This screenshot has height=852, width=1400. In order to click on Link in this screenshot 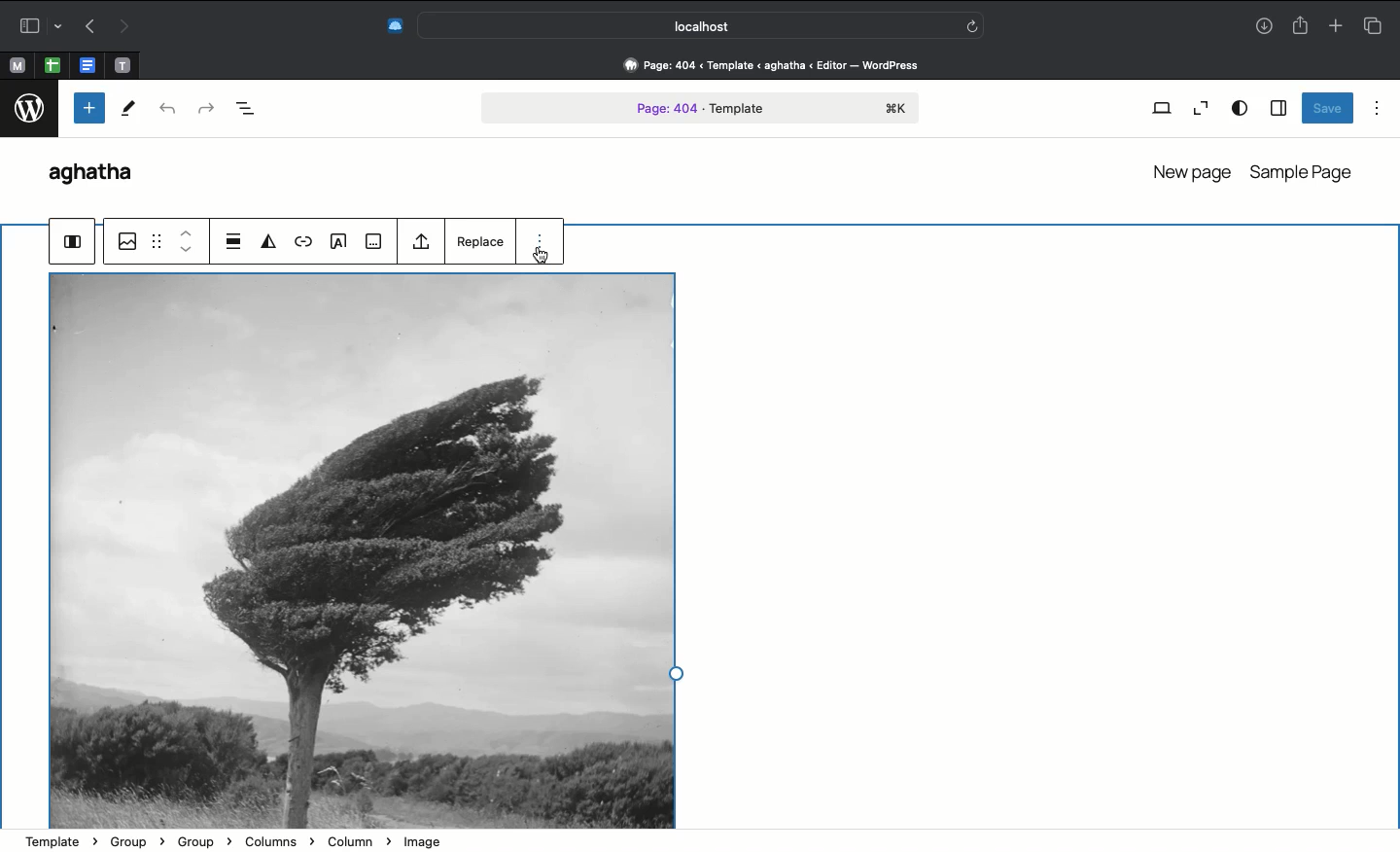, I will do `click(301, 244)`.